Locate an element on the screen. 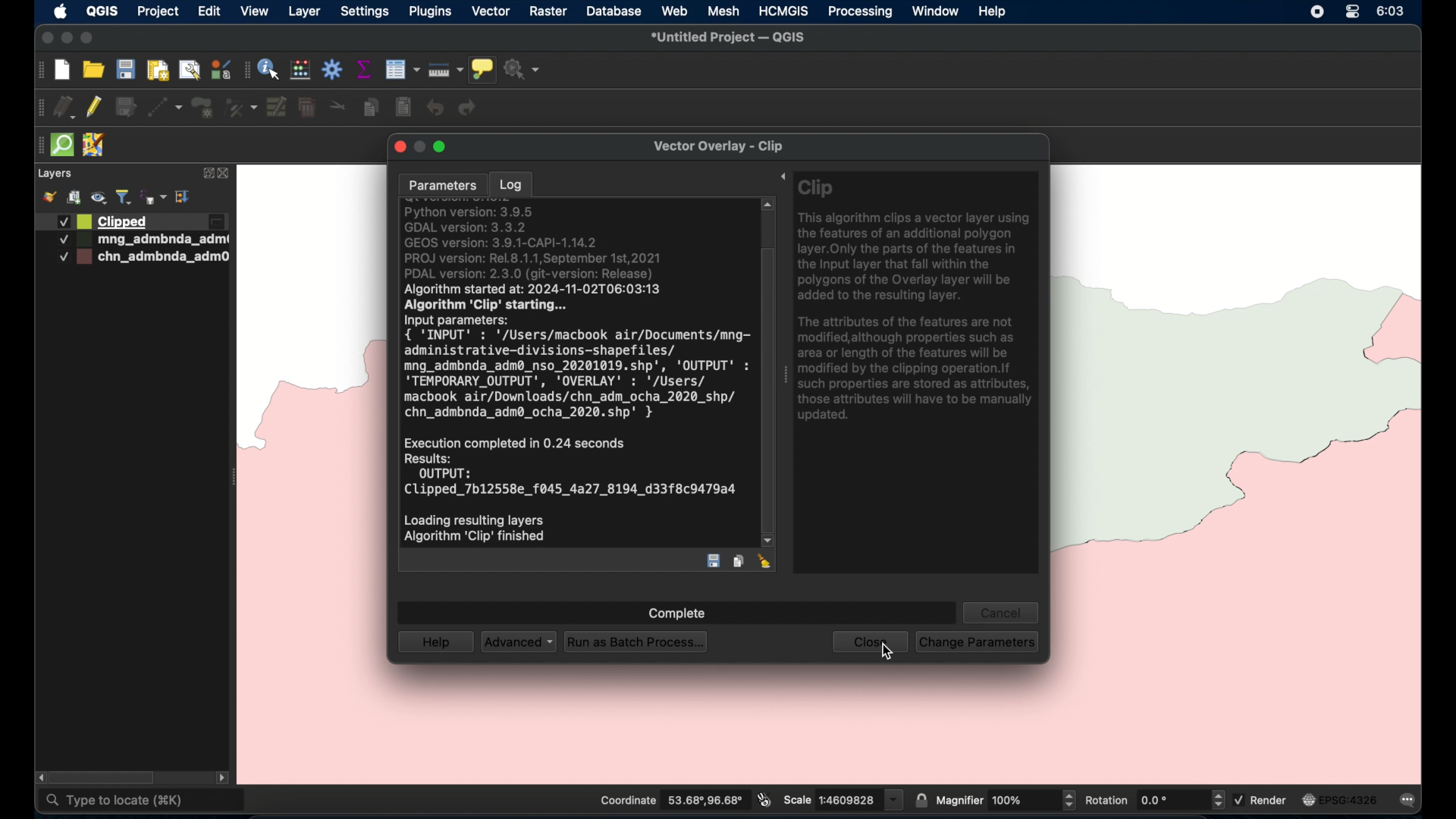  cursor is located at coordinates (887, 651).